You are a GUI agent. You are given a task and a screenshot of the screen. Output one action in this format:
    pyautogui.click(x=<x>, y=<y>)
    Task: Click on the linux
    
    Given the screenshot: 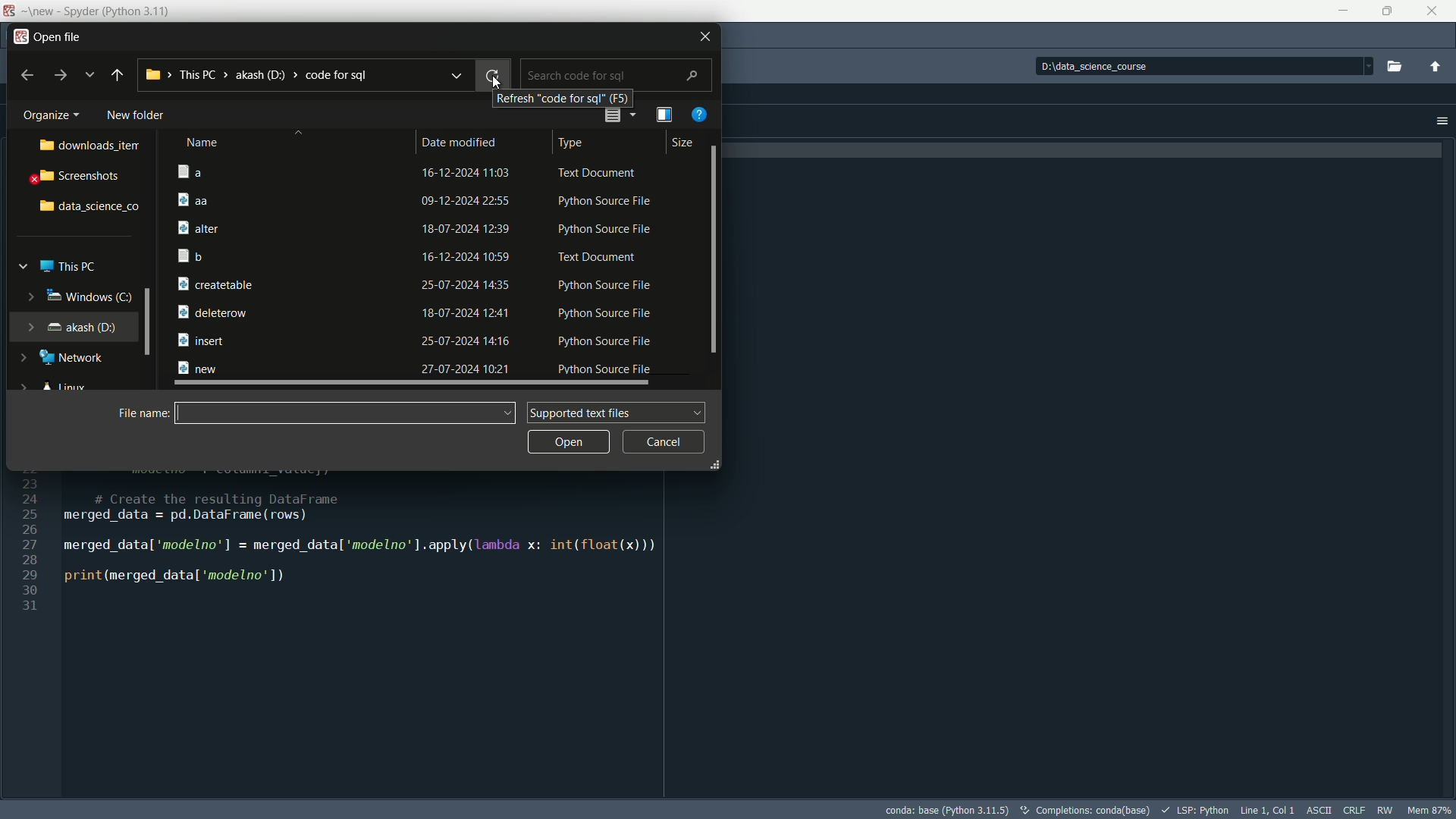 What is the action you would take?
    pyautogui.click(x=67, y=388)
    